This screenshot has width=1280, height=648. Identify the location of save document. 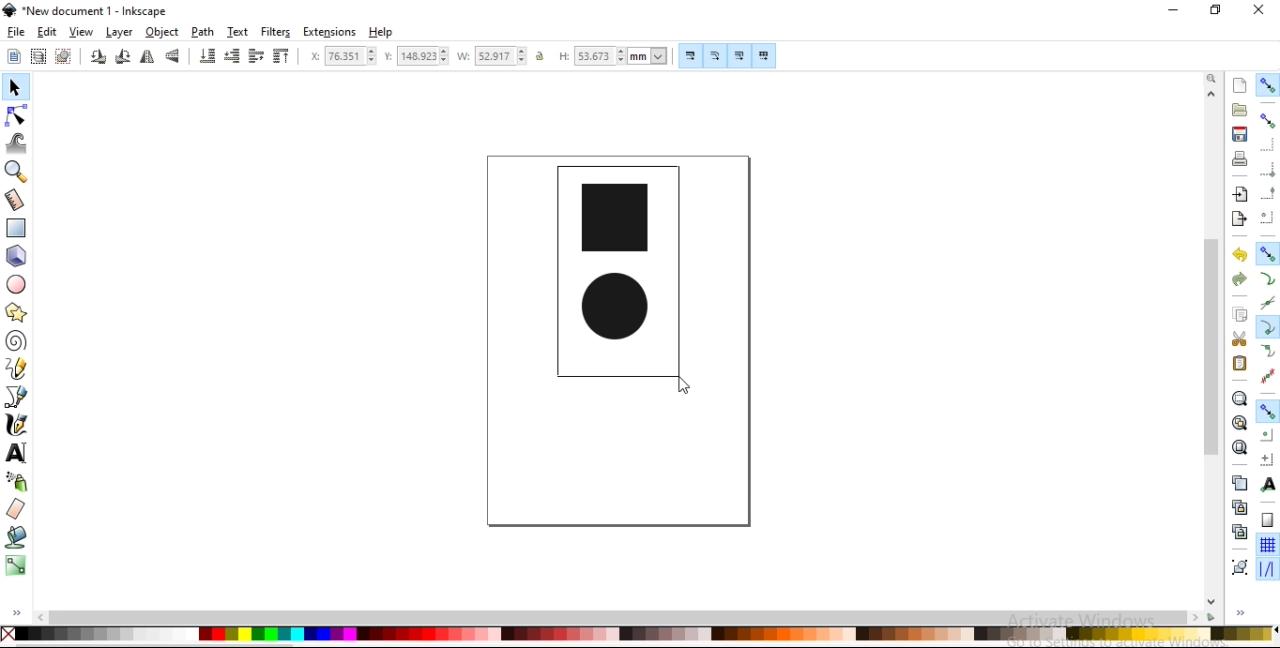
(1239, 133).